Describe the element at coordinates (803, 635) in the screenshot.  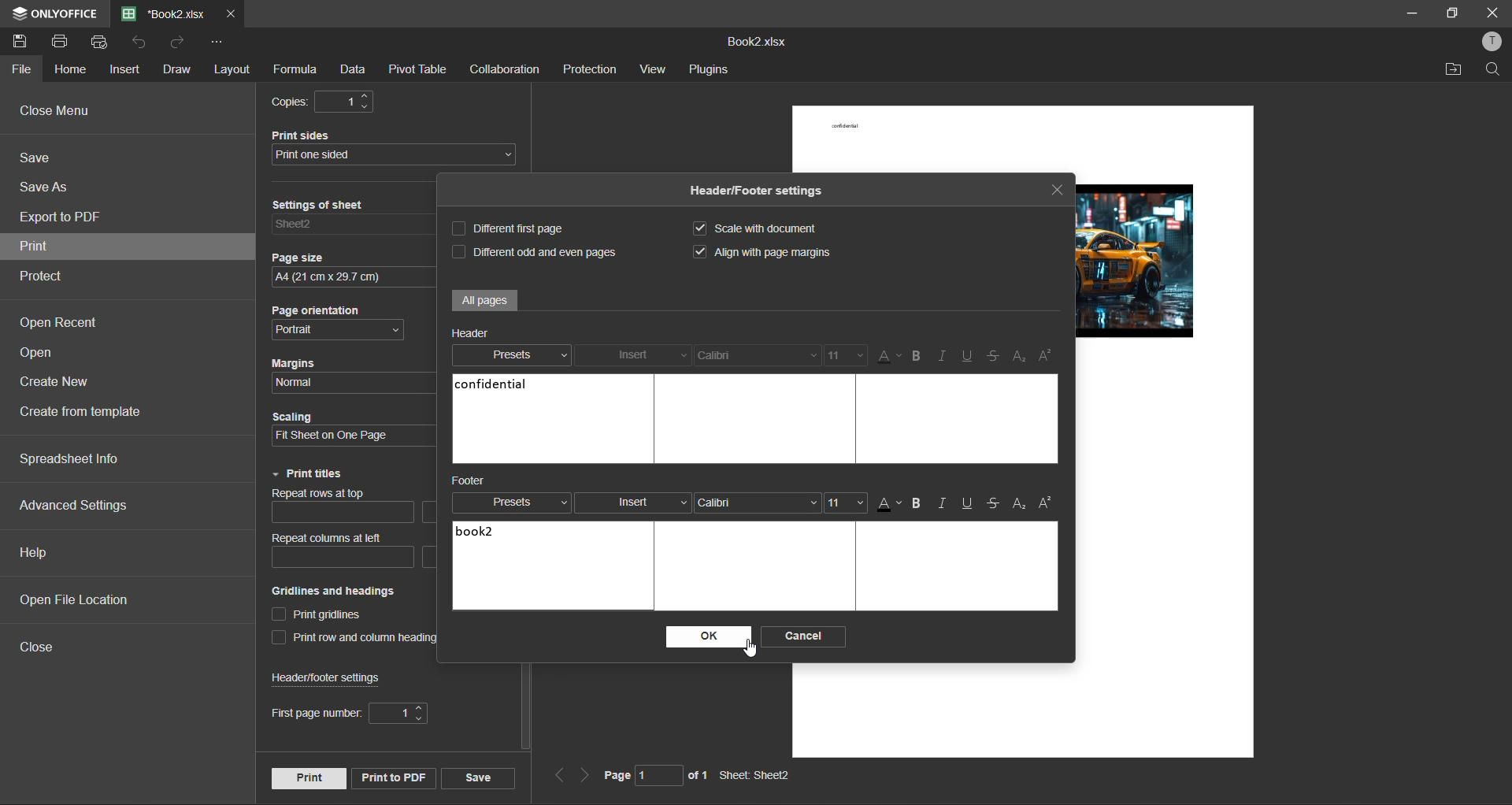
I see `cancel` at that location.